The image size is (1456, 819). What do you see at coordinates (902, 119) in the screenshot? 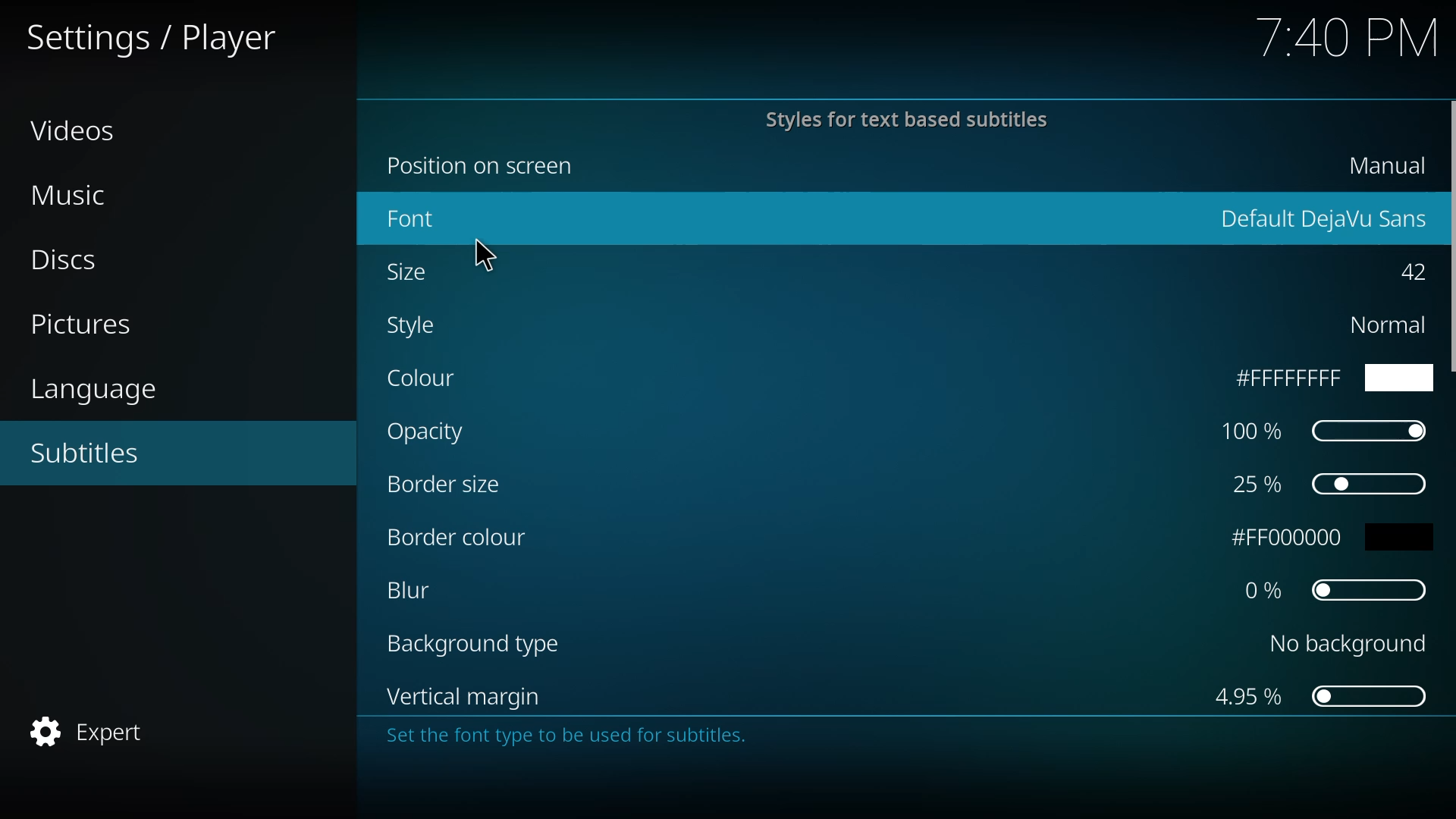
I see `styles` at bounding box center [902, 119].